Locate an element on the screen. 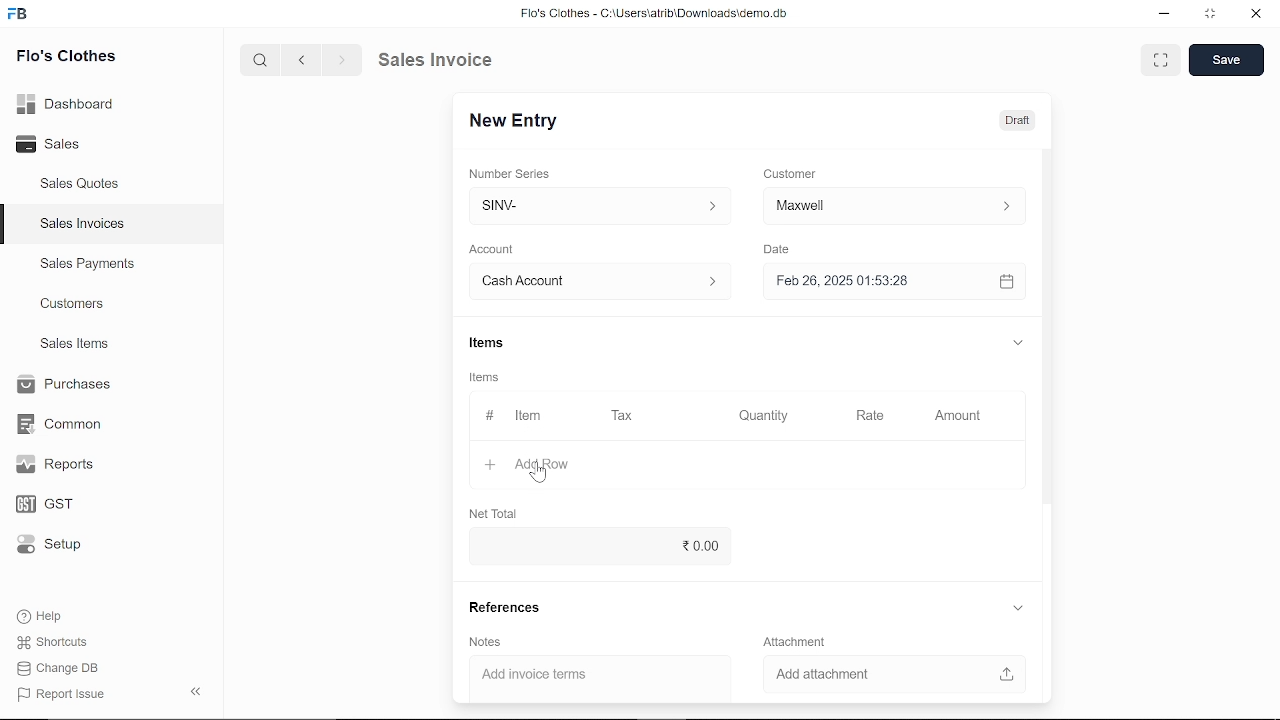 The height and width of the screenshot is (720, 1280). SINV-  is located at coordinates (595, 206).